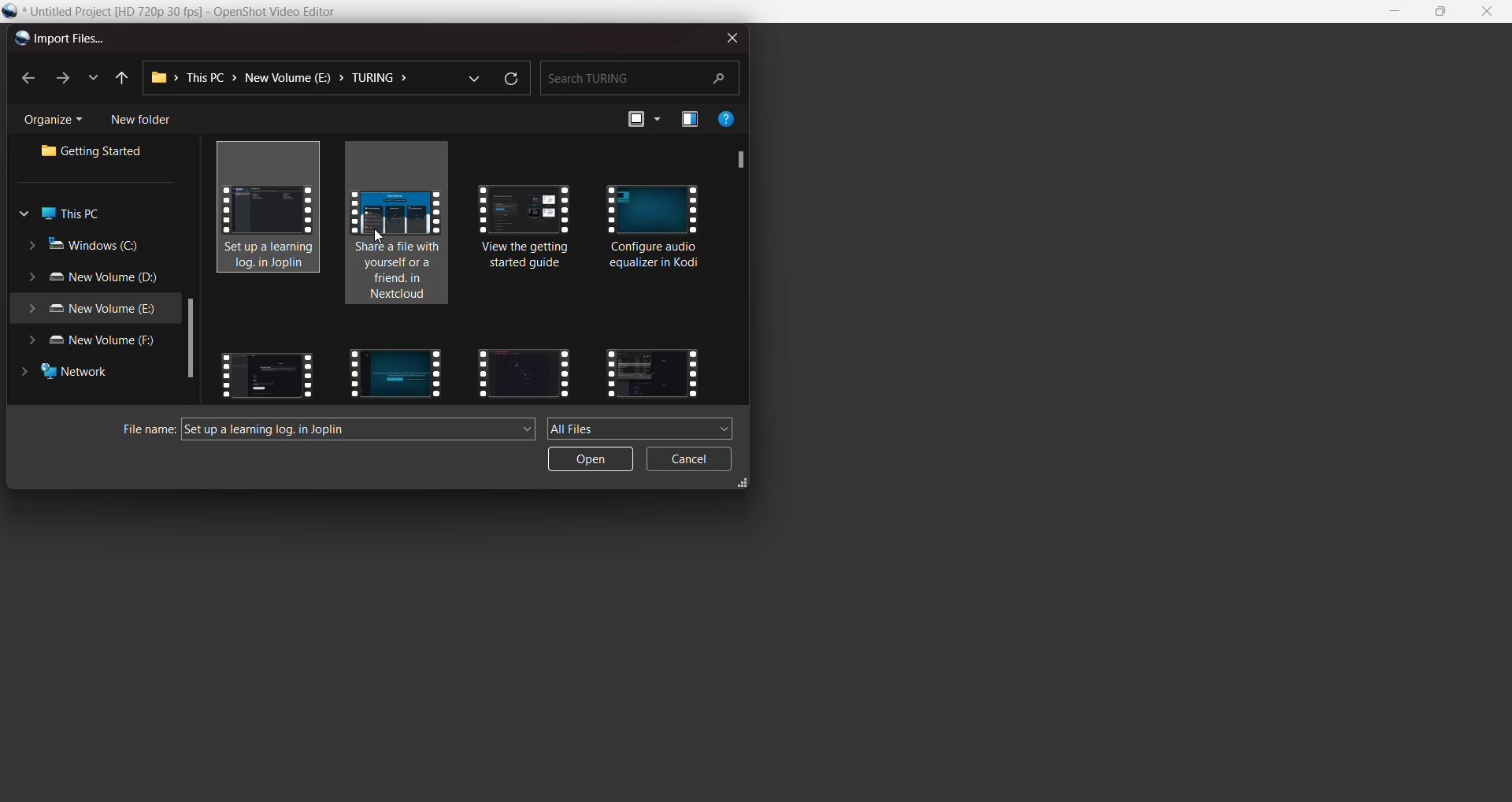  I want to click on windows c, so click(87, 246).